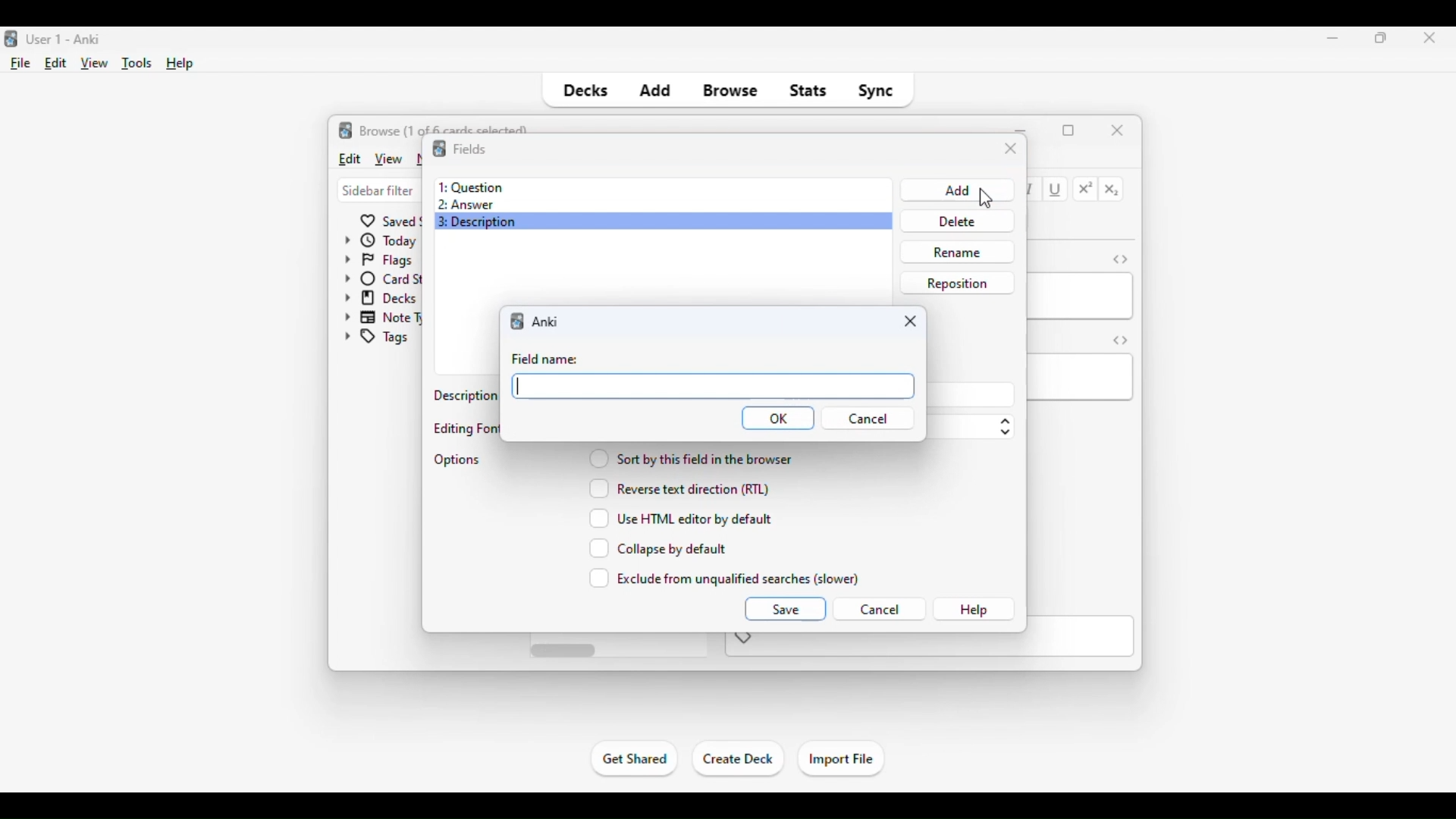  What do you see at coordinates (138, 64) in the screenshot?
I see `tools` at bounding box center [138, 64].